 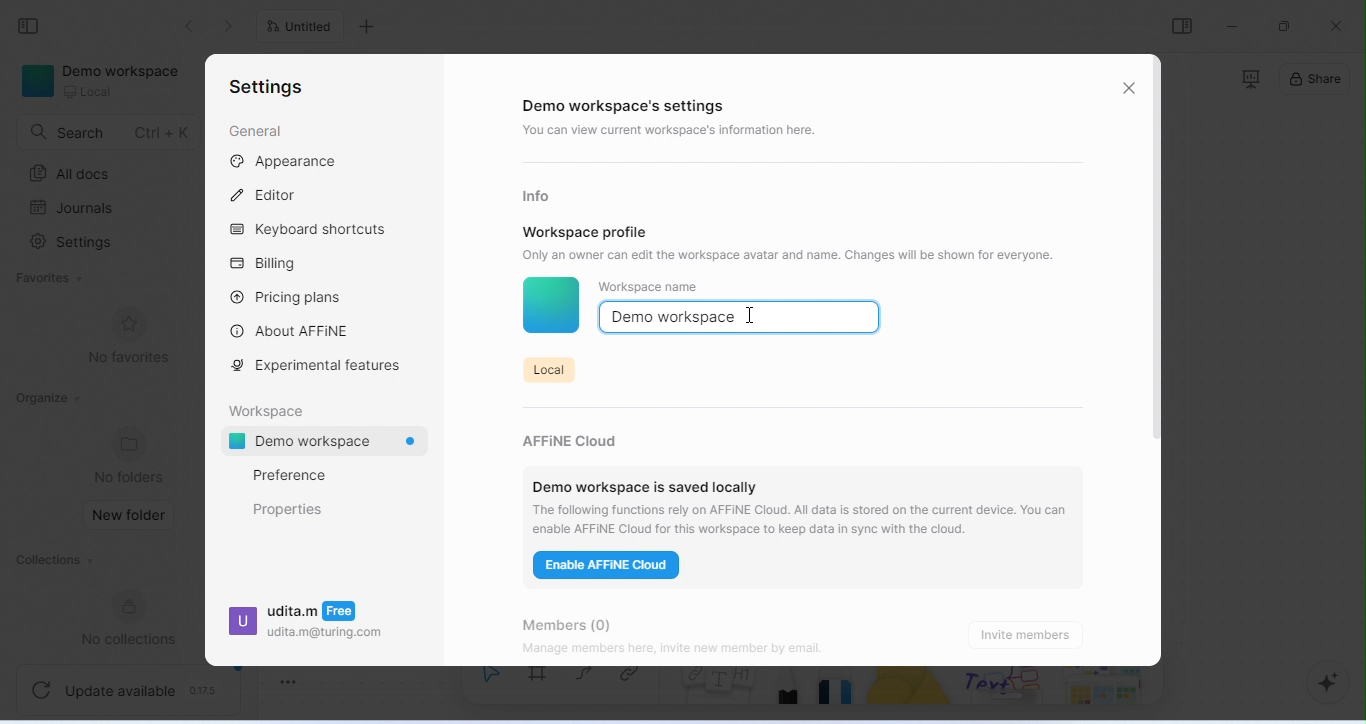 I want to click on demo workspace, so click(x=674, y=318).